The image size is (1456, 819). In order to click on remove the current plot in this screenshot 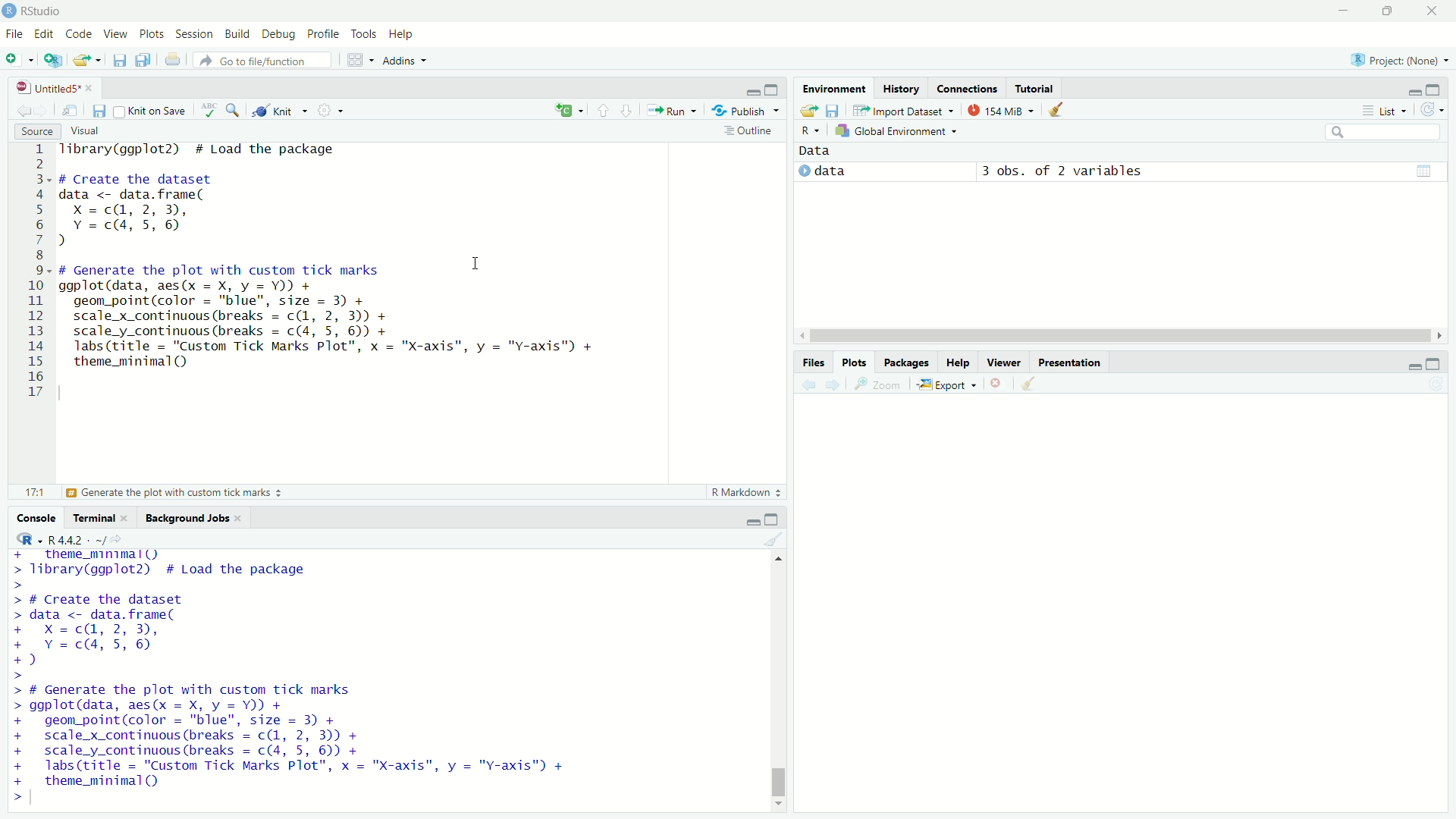, I will do `click(998, 384)`.